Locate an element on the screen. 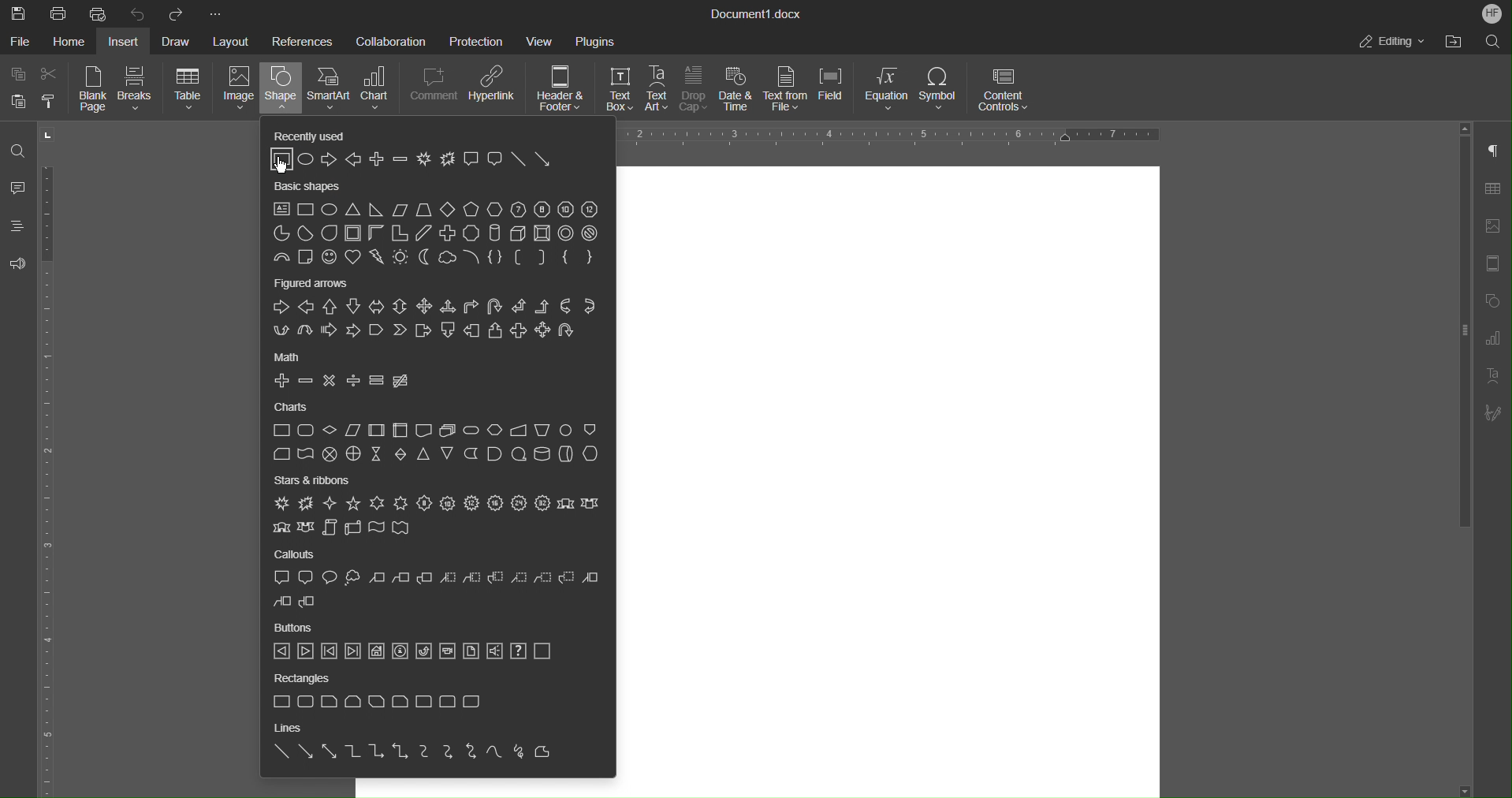 Image resolution: width=1512 pixels, height=798 pixels. Scroll up is located at coordinates (1465, 127).